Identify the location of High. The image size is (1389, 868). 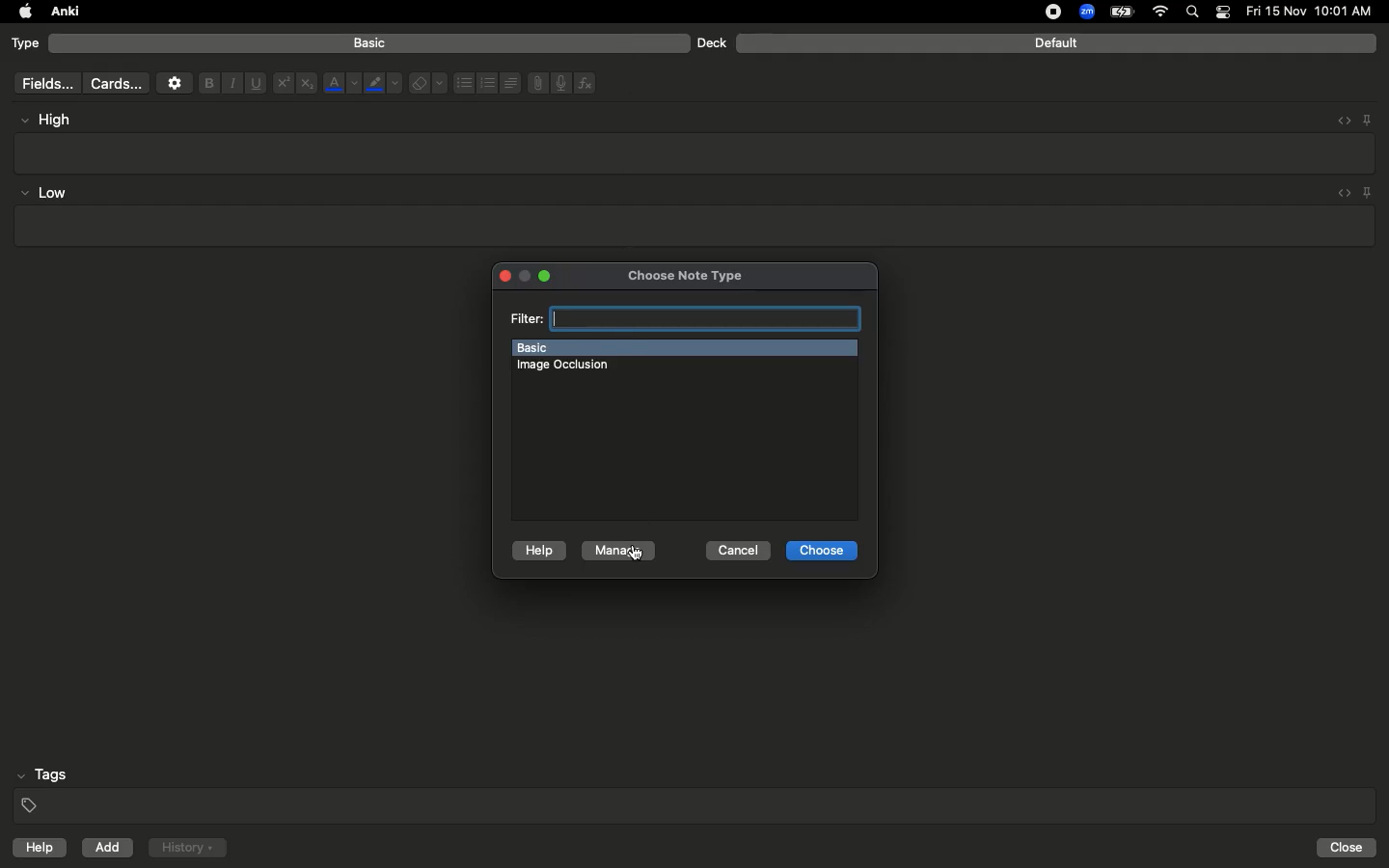
(54, 120).